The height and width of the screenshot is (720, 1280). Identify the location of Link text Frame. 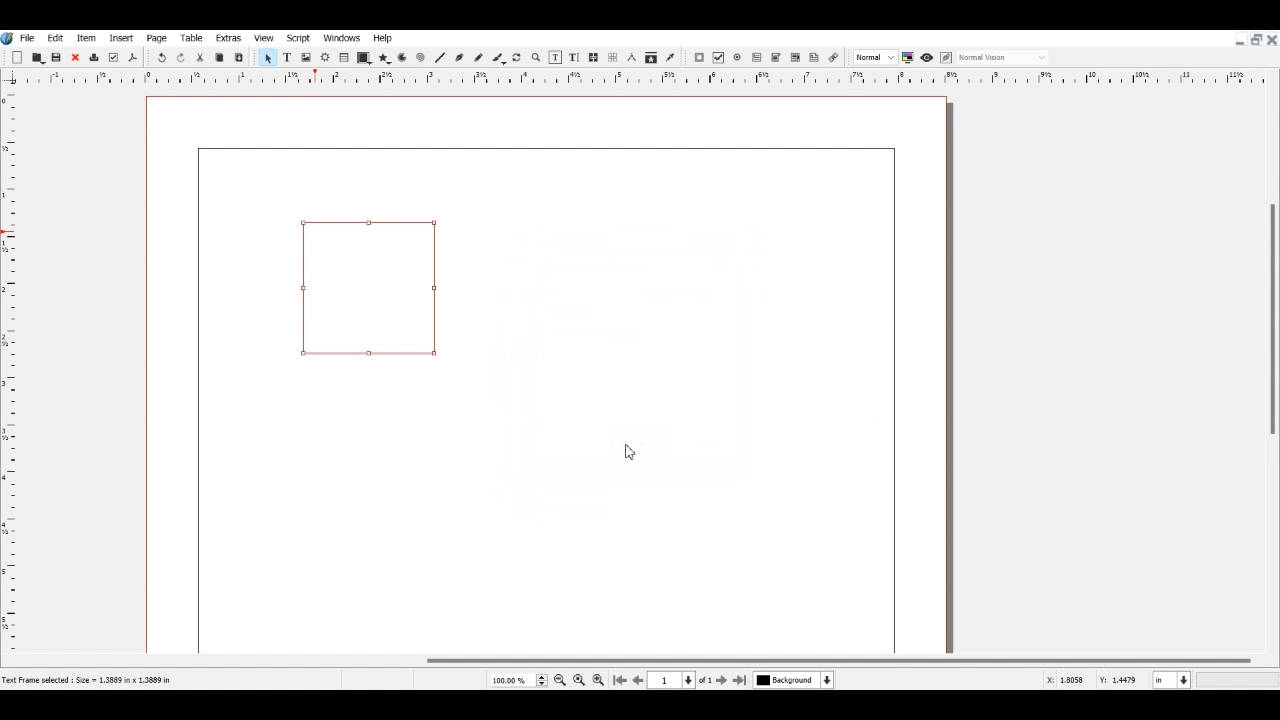
(594, 57).